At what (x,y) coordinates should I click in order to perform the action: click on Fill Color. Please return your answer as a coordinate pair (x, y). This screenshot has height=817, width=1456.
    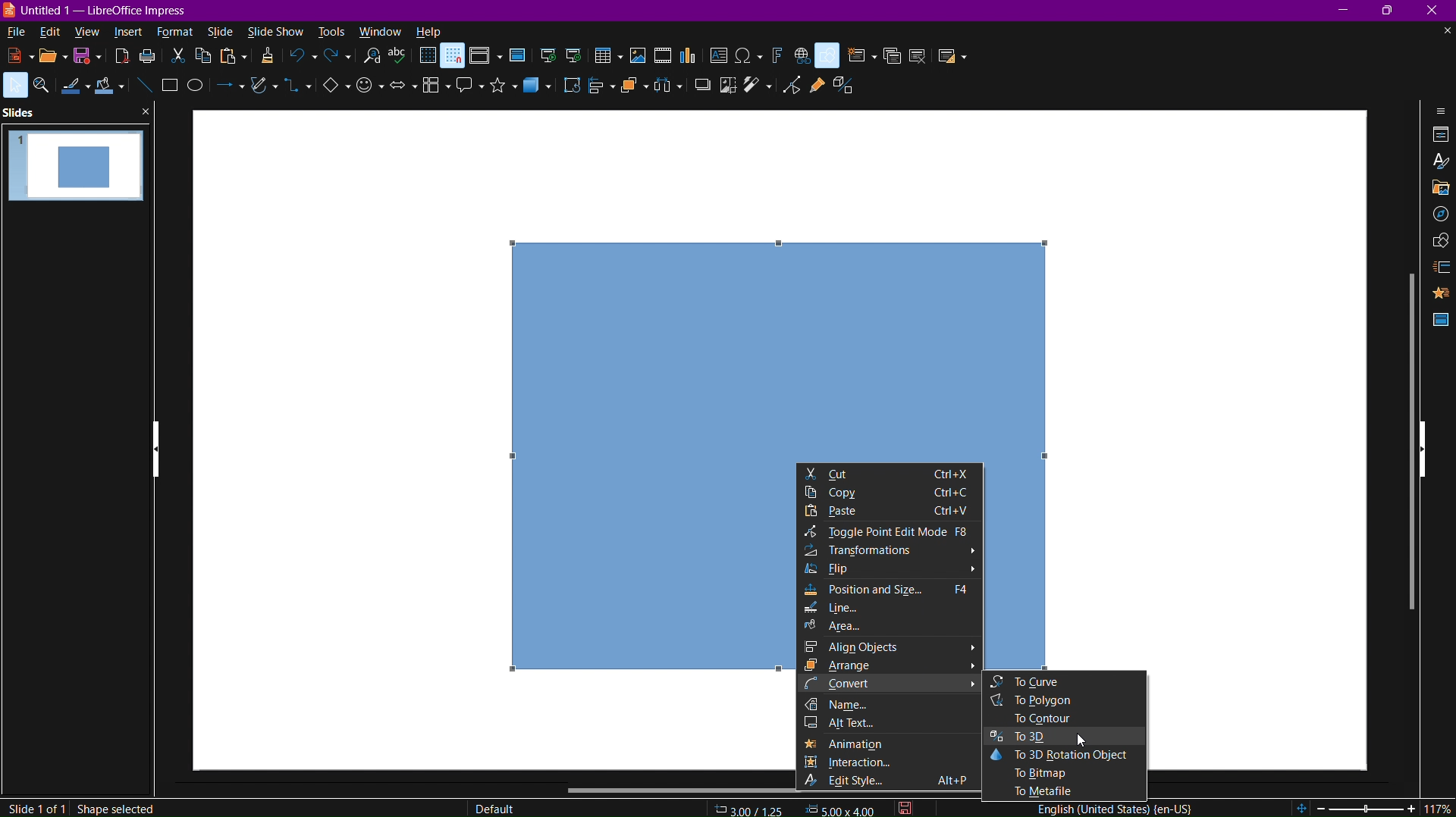
    Looking at the image, I should click on (112, 88).